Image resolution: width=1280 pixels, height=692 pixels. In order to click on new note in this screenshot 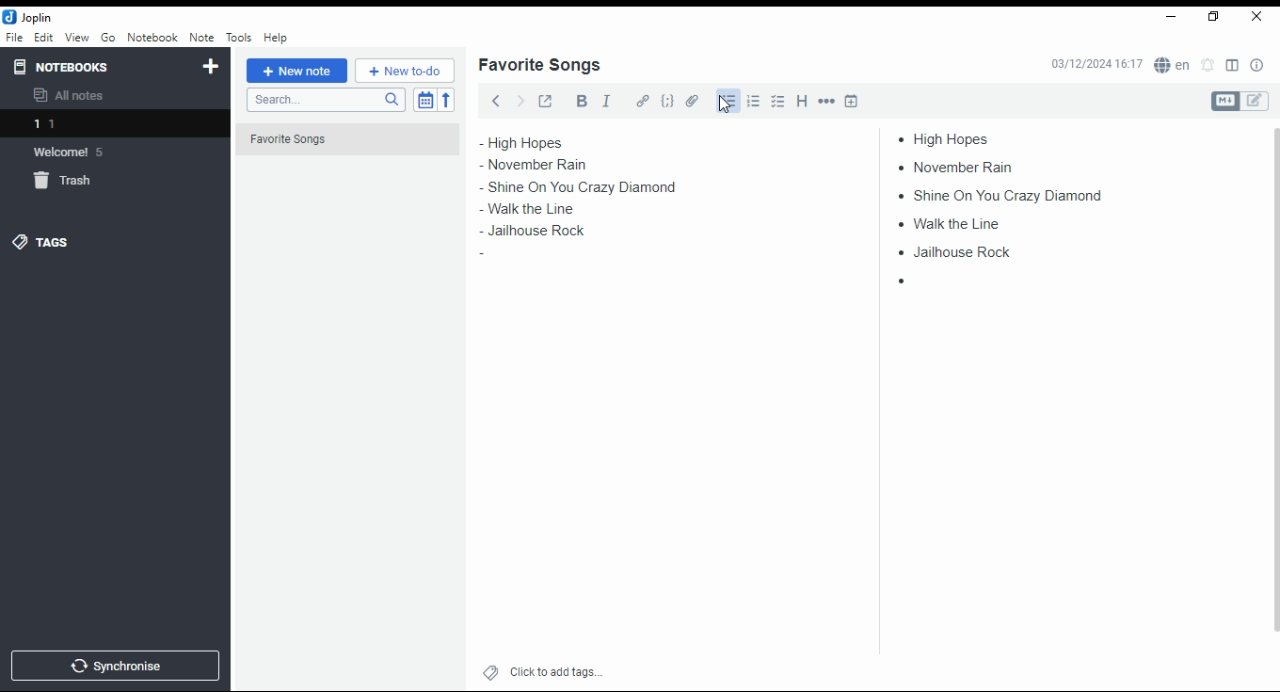, I will do `click(297, 71)`.